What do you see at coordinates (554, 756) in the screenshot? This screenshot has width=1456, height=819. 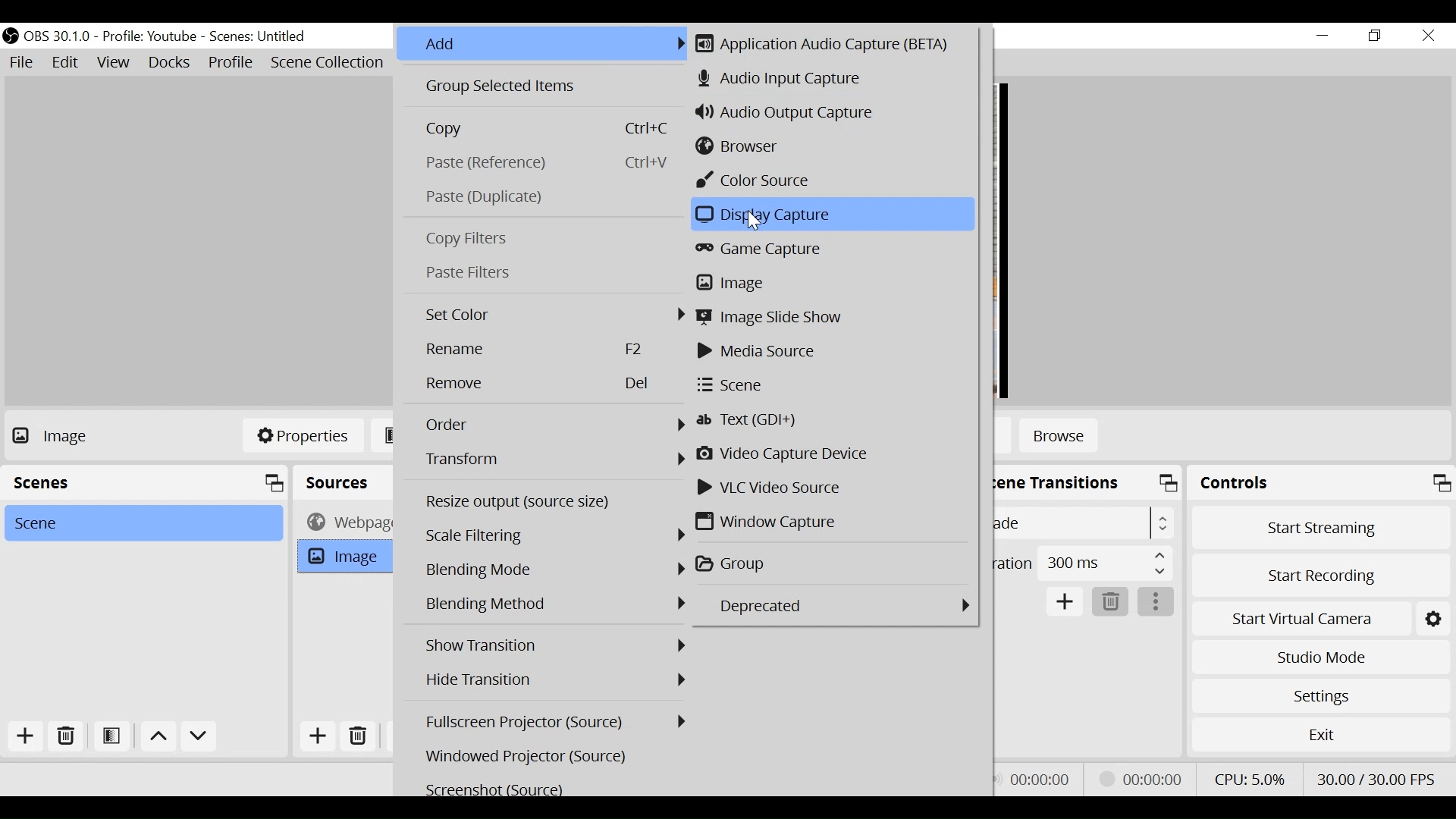 I see `Windowed Projector (Source)` at bounding box center [554, 756].